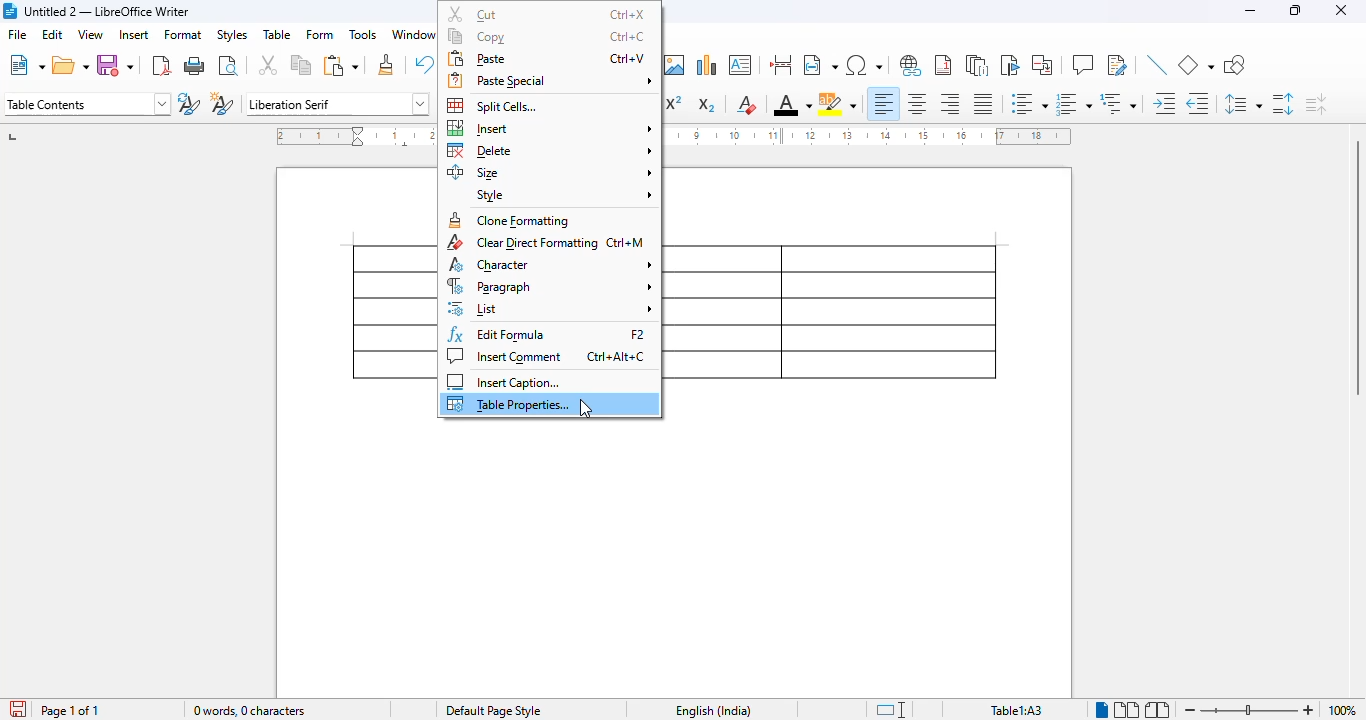 Image resolution: width=1366 pixels, height=720 pixels. What do you see at coordinates (864, 65) in the screenshot?
I see `insert special characters` at bounding box center [864, 65].